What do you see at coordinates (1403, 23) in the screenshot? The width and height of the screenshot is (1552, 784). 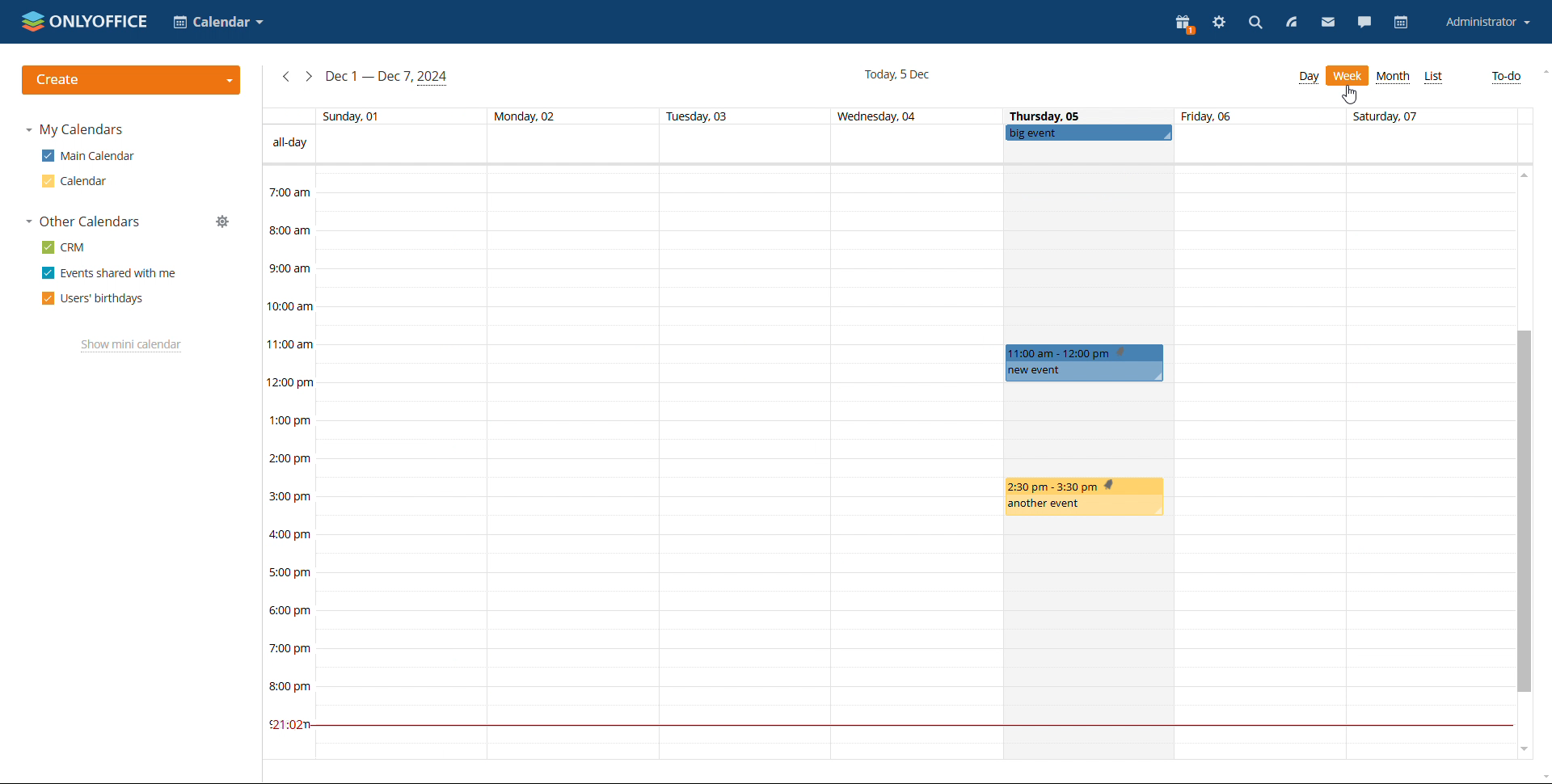 I see `calendar` at bounding box center [1403, 23].